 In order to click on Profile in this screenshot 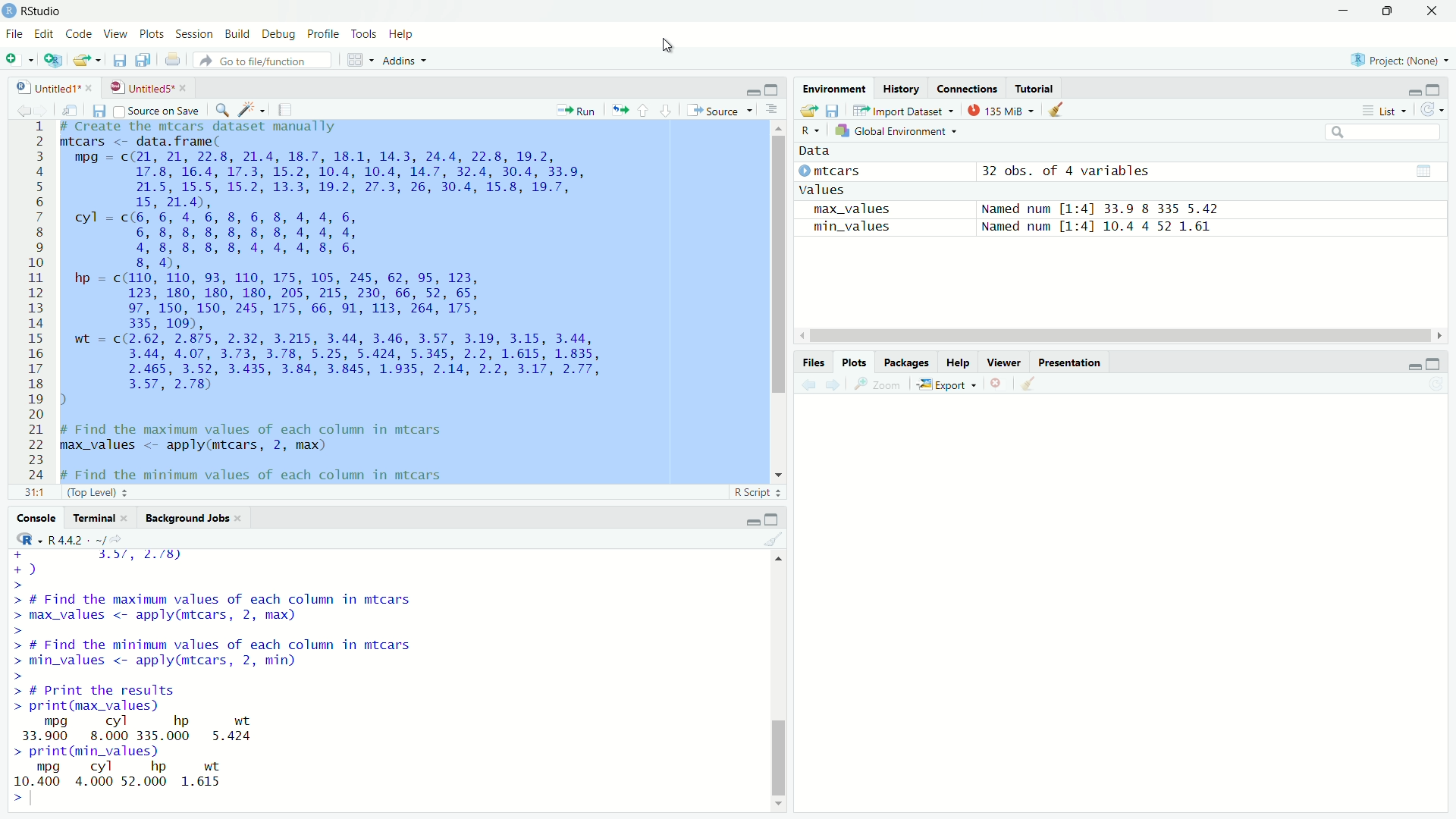, I will do `click(322, 33)`.